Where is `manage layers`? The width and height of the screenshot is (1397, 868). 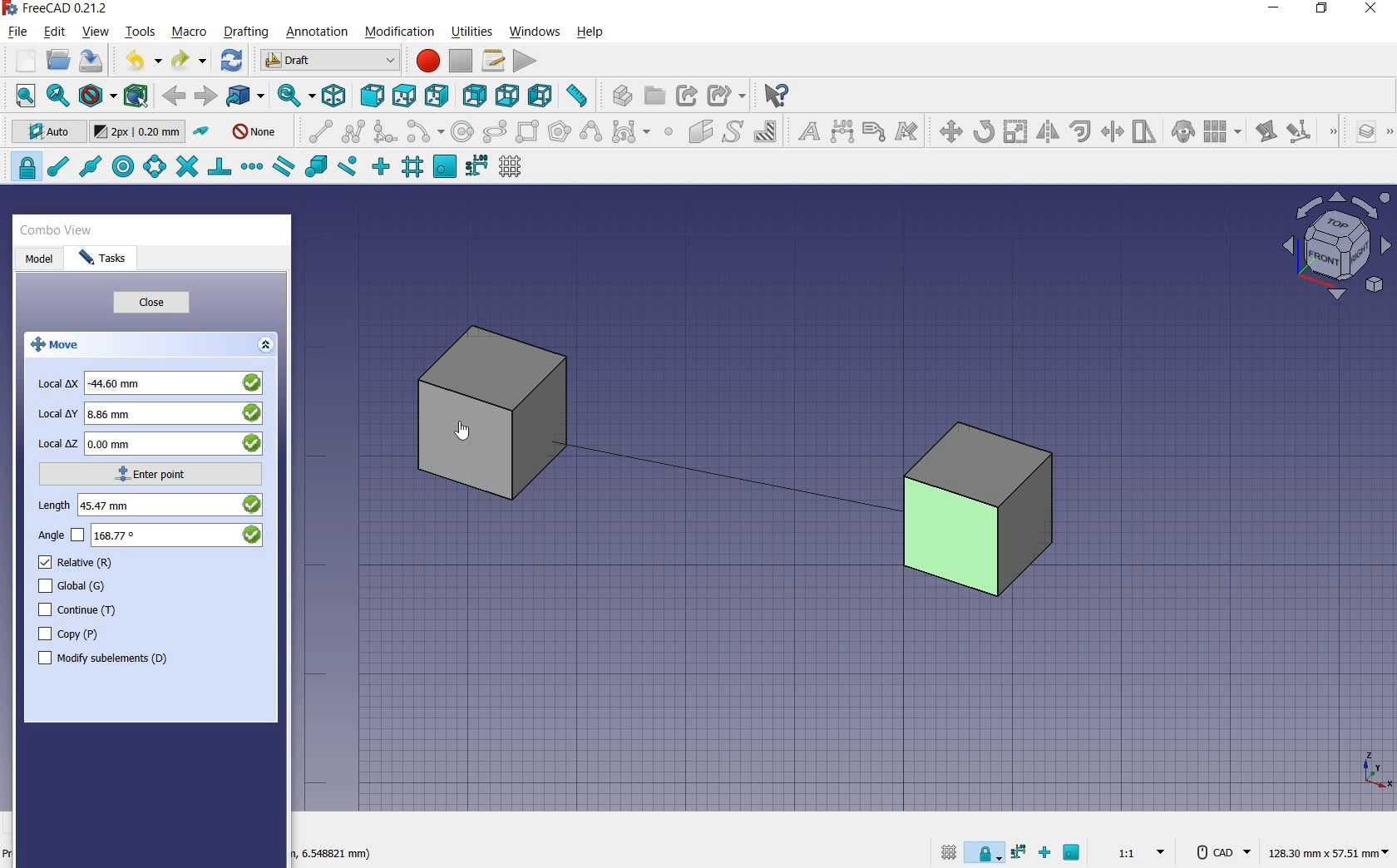 manage layers is located at coordinates (1367, 133).